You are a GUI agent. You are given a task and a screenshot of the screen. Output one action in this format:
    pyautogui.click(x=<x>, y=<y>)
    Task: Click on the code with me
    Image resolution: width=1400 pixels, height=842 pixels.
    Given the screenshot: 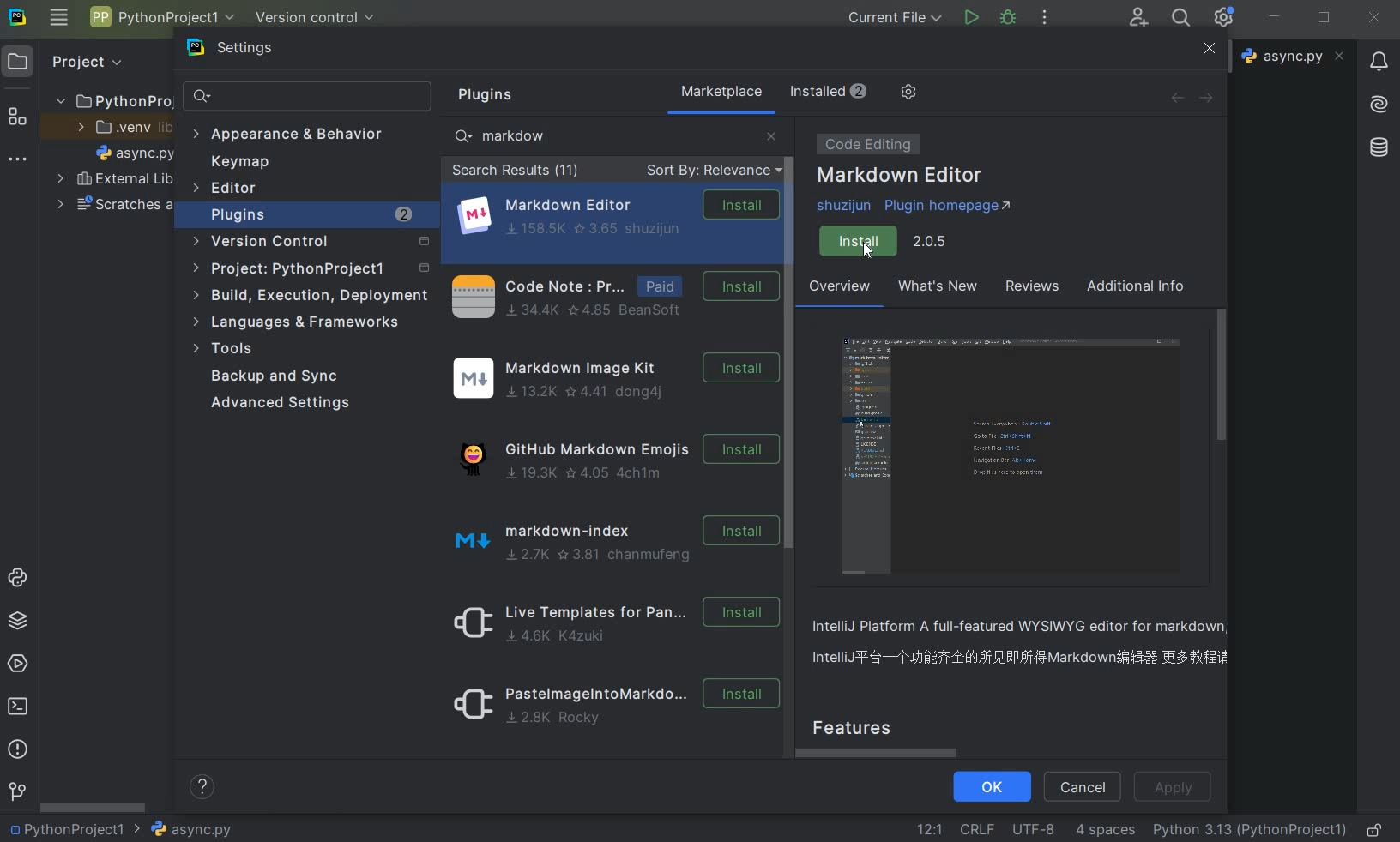 What is the action you would take?
    pyautogui.click(x=1139, y=19)
    